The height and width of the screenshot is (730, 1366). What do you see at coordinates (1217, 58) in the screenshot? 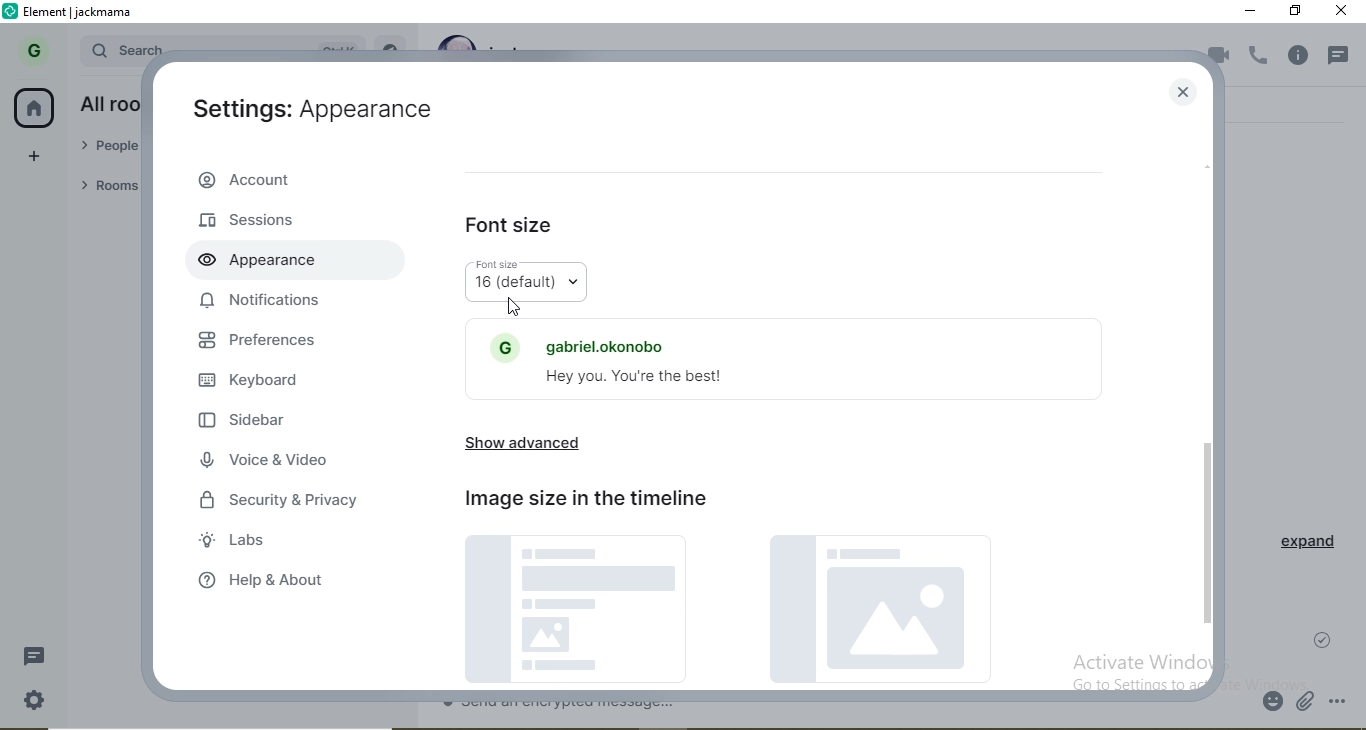
I see `video call` at bounding box center [1217, 58].